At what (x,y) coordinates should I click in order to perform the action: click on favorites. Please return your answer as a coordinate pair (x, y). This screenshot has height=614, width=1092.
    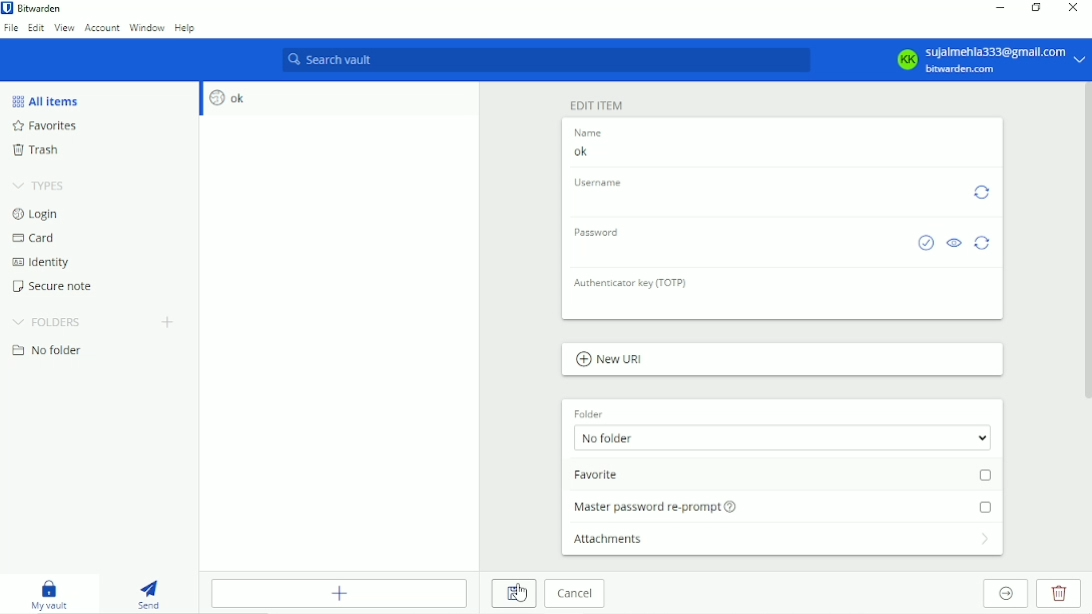
    Looking at the image, I should click on (46, 127).